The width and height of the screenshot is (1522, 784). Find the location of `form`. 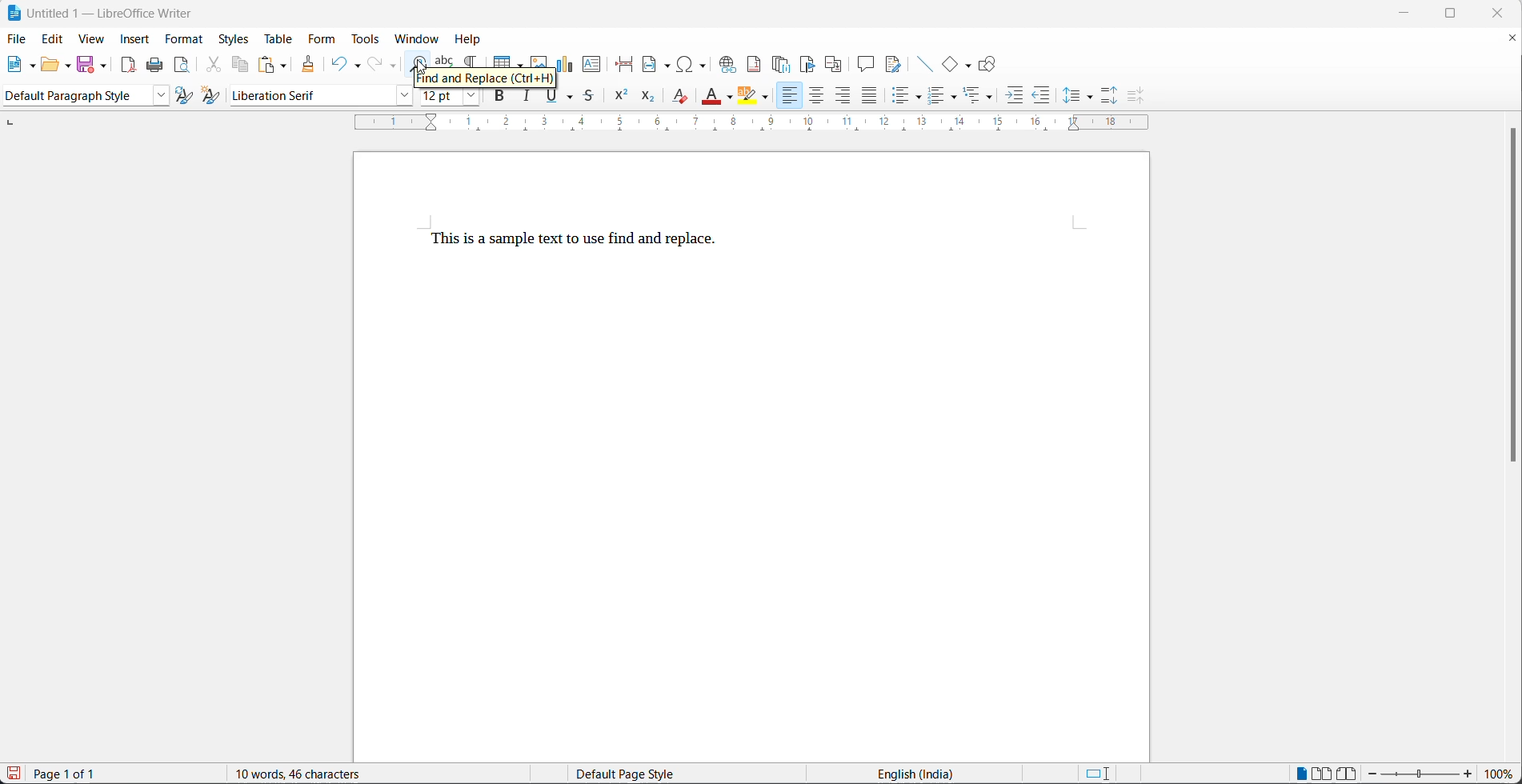

form is located at coordinates (321, 40).